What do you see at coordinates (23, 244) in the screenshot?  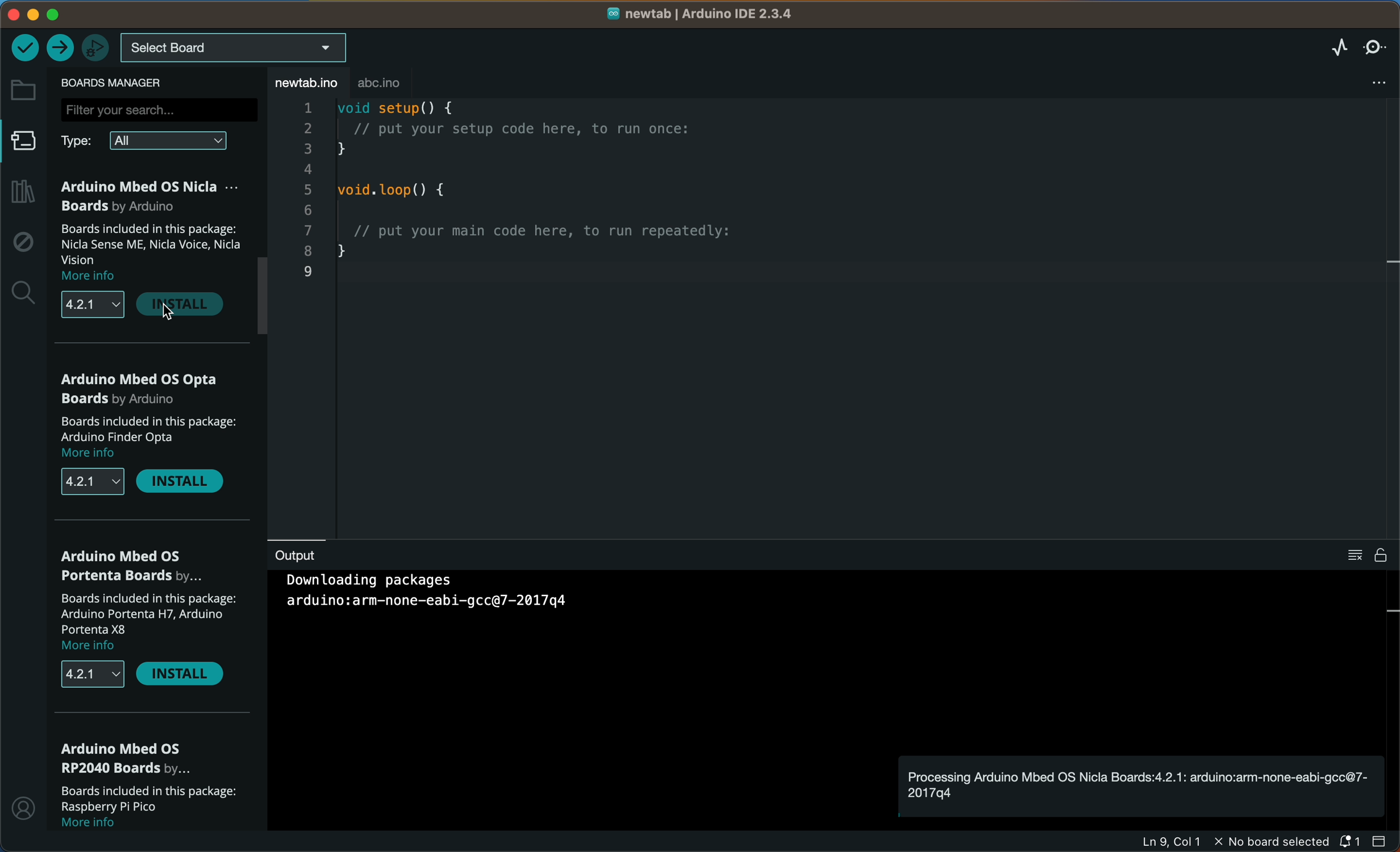 I see `debug` at bounding box center [23, 244].